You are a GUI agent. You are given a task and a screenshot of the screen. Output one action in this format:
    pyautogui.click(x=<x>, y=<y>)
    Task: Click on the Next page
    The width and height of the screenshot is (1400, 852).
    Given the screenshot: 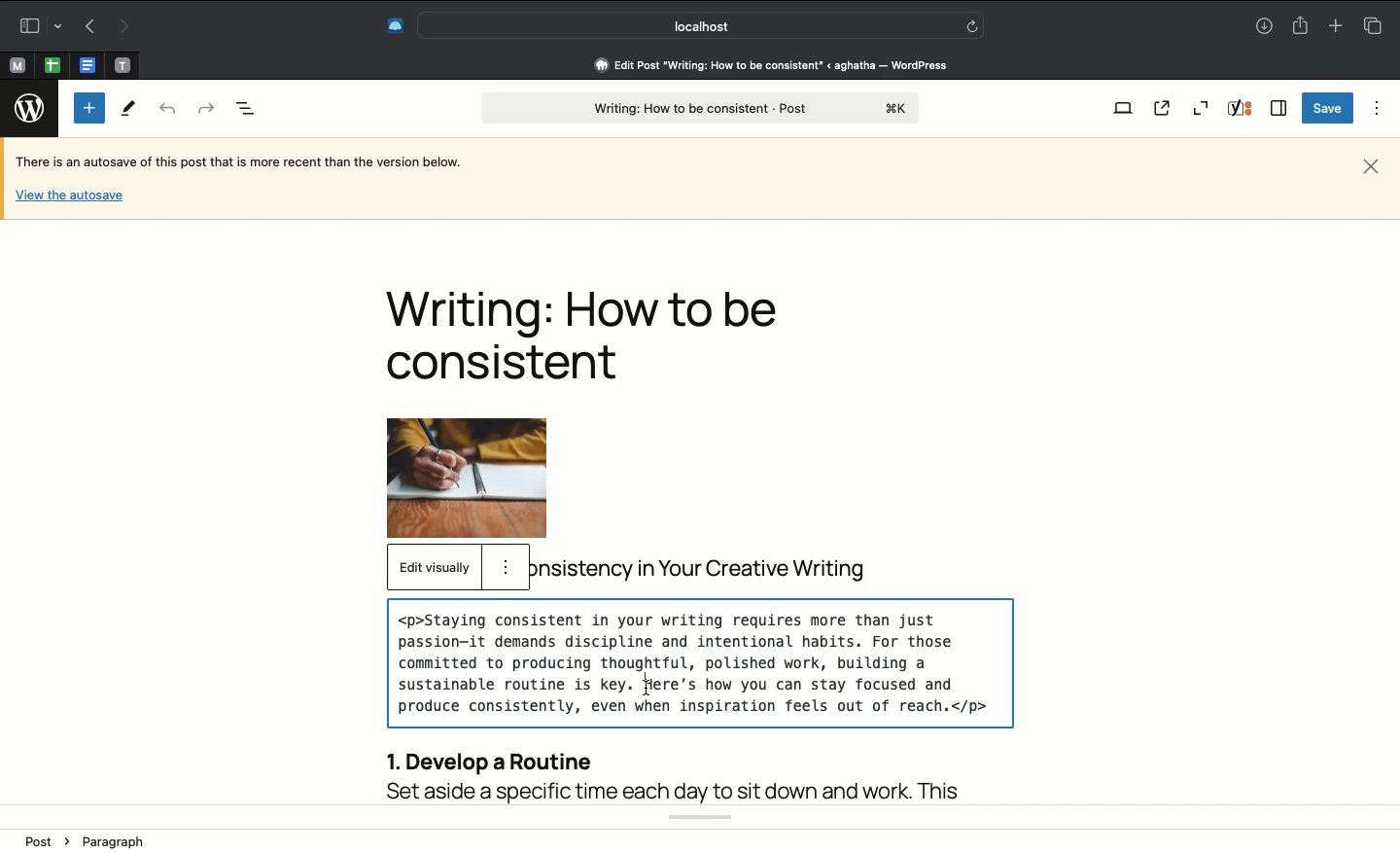 What is the action you would take?
    pyautogui.click(x=126, y=25)
    